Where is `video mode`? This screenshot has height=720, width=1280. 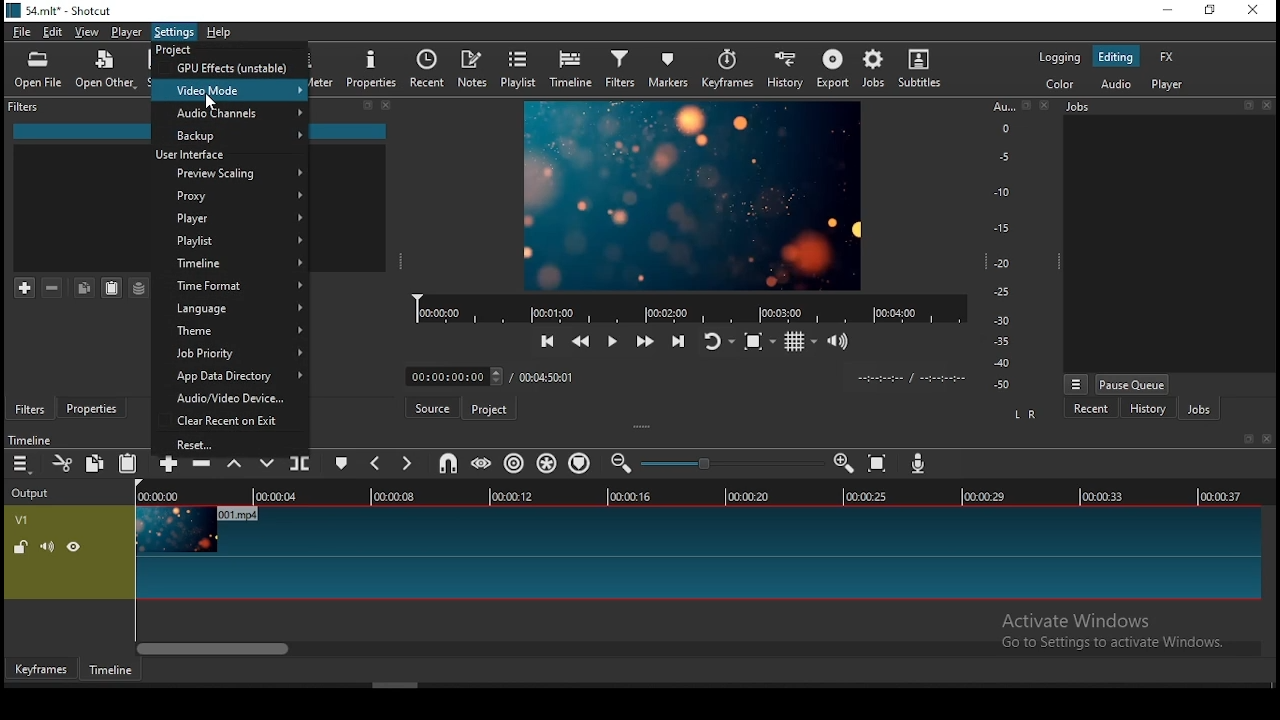
video mode is located at coordinates (231, 89).